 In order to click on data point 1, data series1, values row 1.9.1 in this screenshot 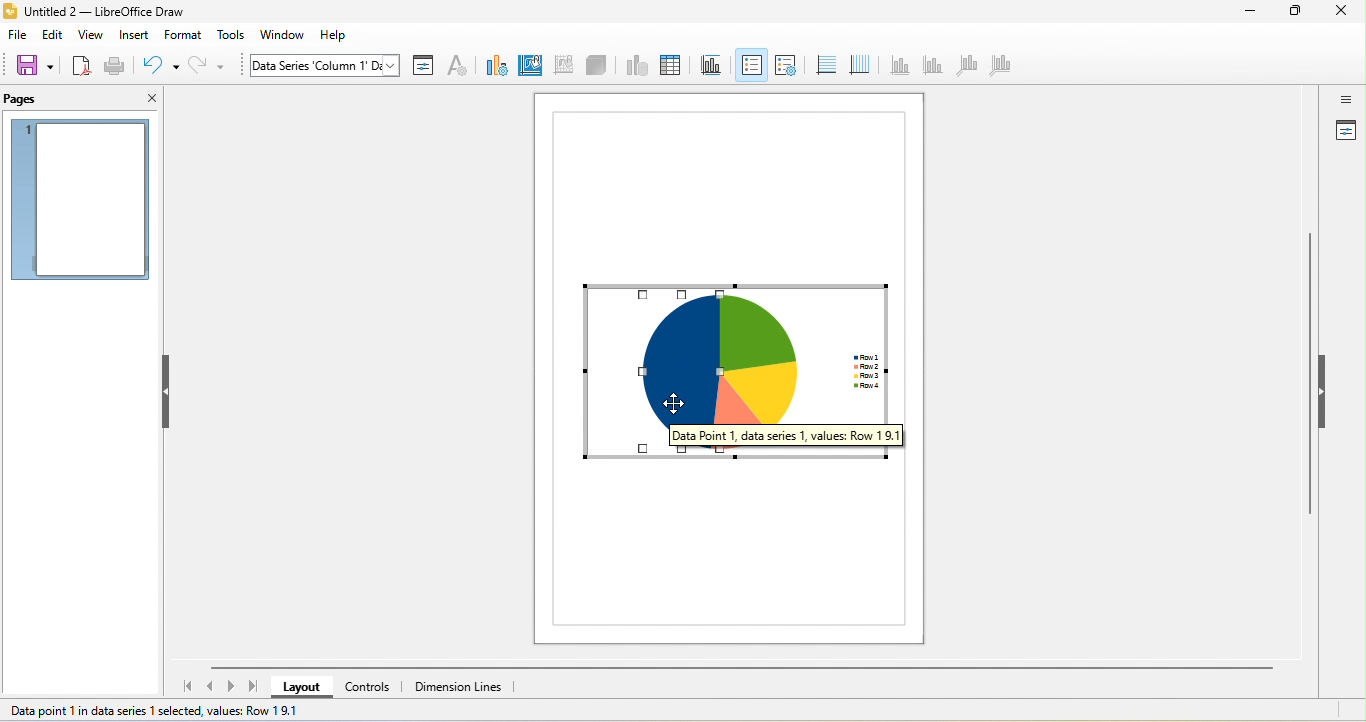, I will do `click(818, 435)`.